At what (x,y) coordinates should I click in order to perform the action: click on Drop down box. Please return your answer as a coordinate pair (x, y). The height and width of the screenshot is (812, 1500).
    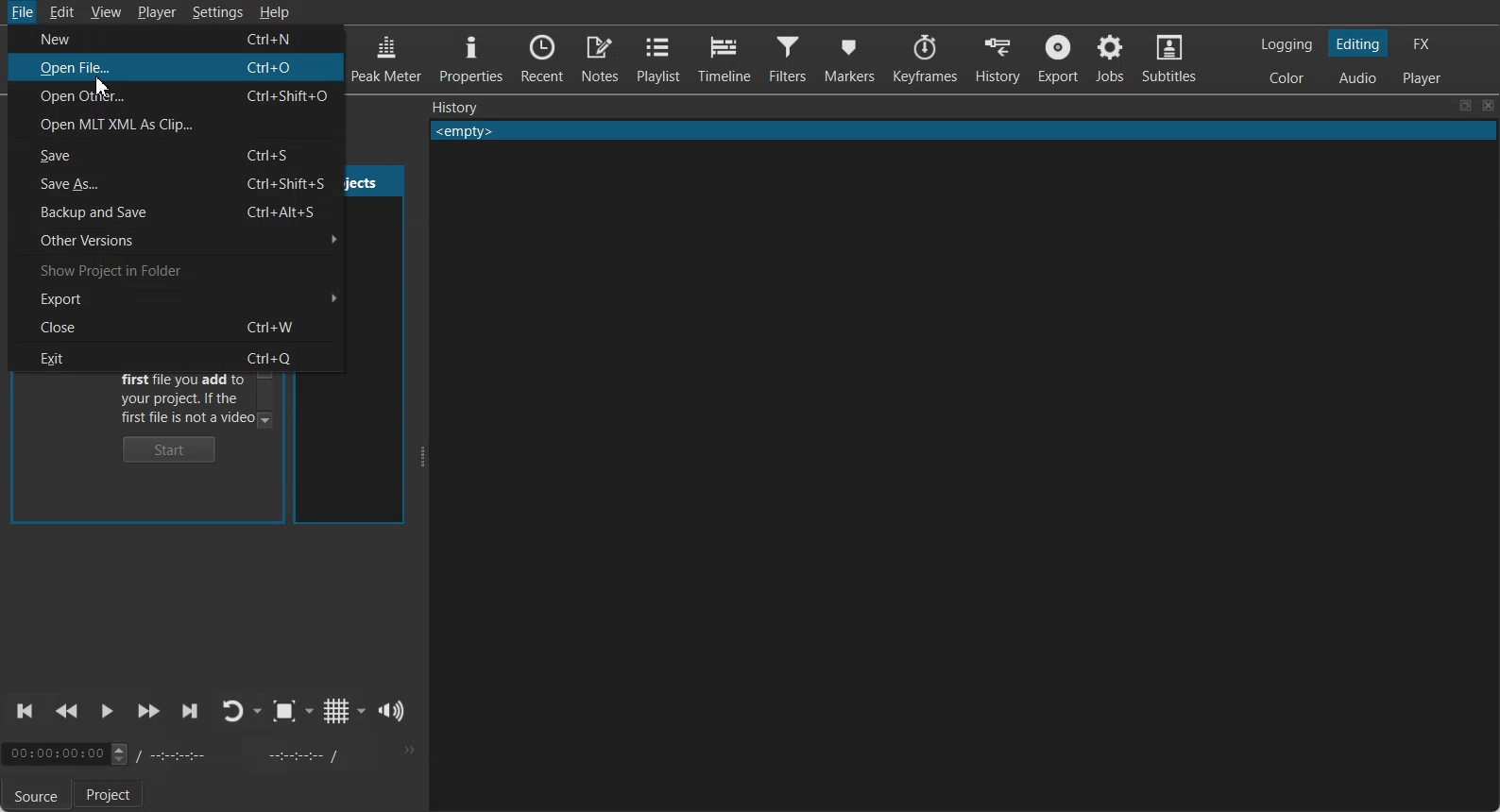
    Looking at the image, I should click on (259, 711).